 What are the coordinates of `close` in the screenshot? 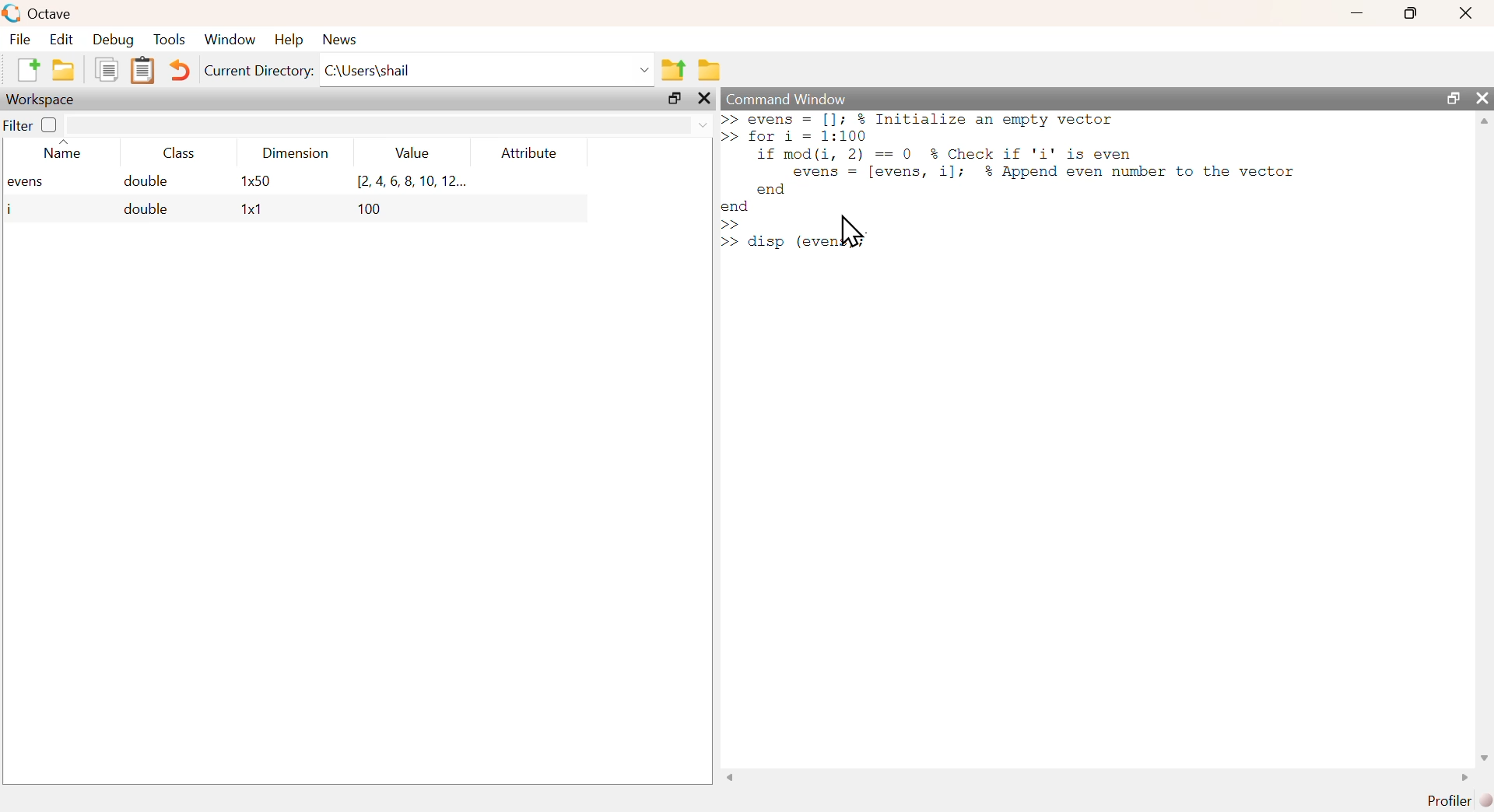 It's located at (1483, 98).